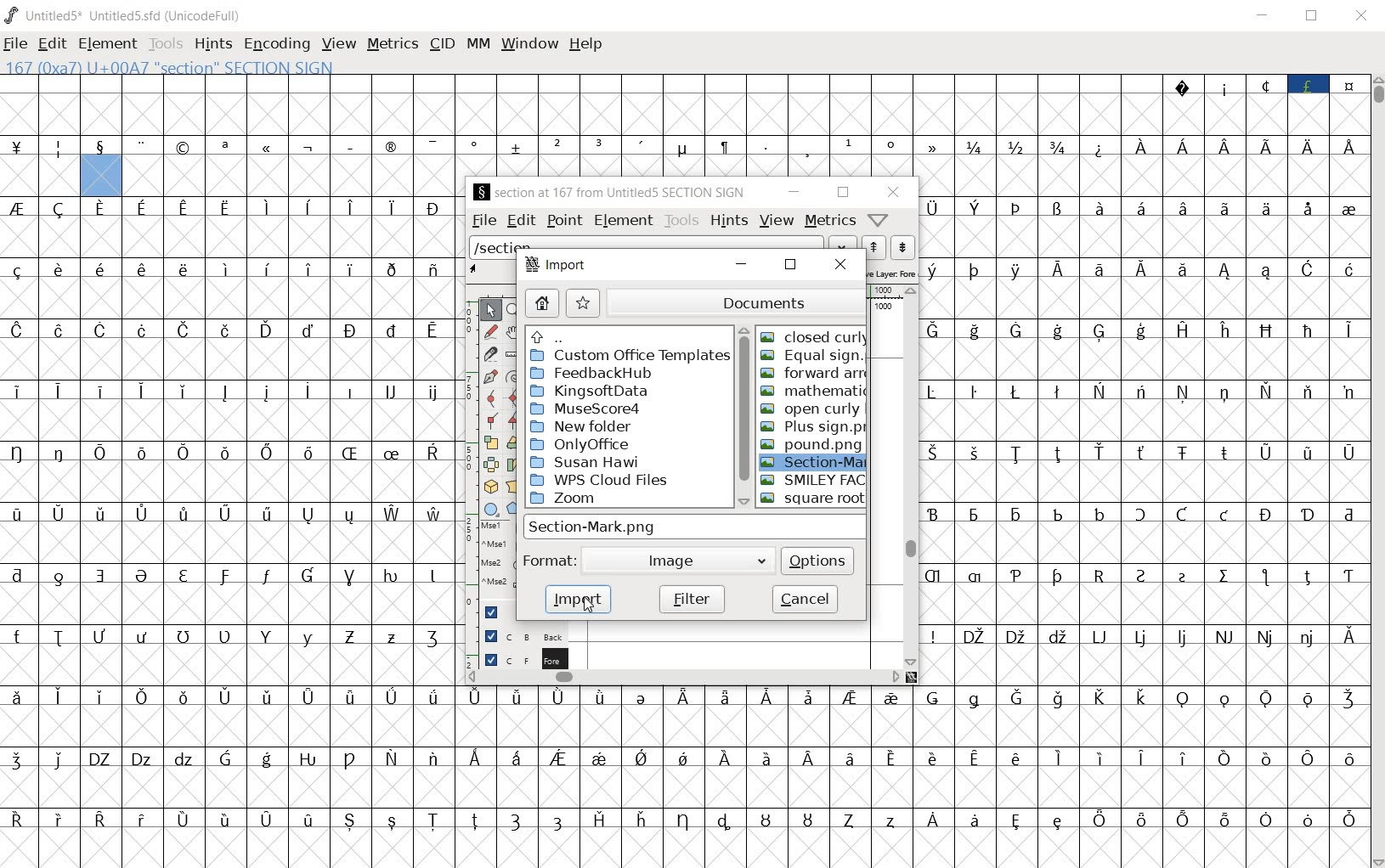  I want to click on empty cells, so click(234, 299).